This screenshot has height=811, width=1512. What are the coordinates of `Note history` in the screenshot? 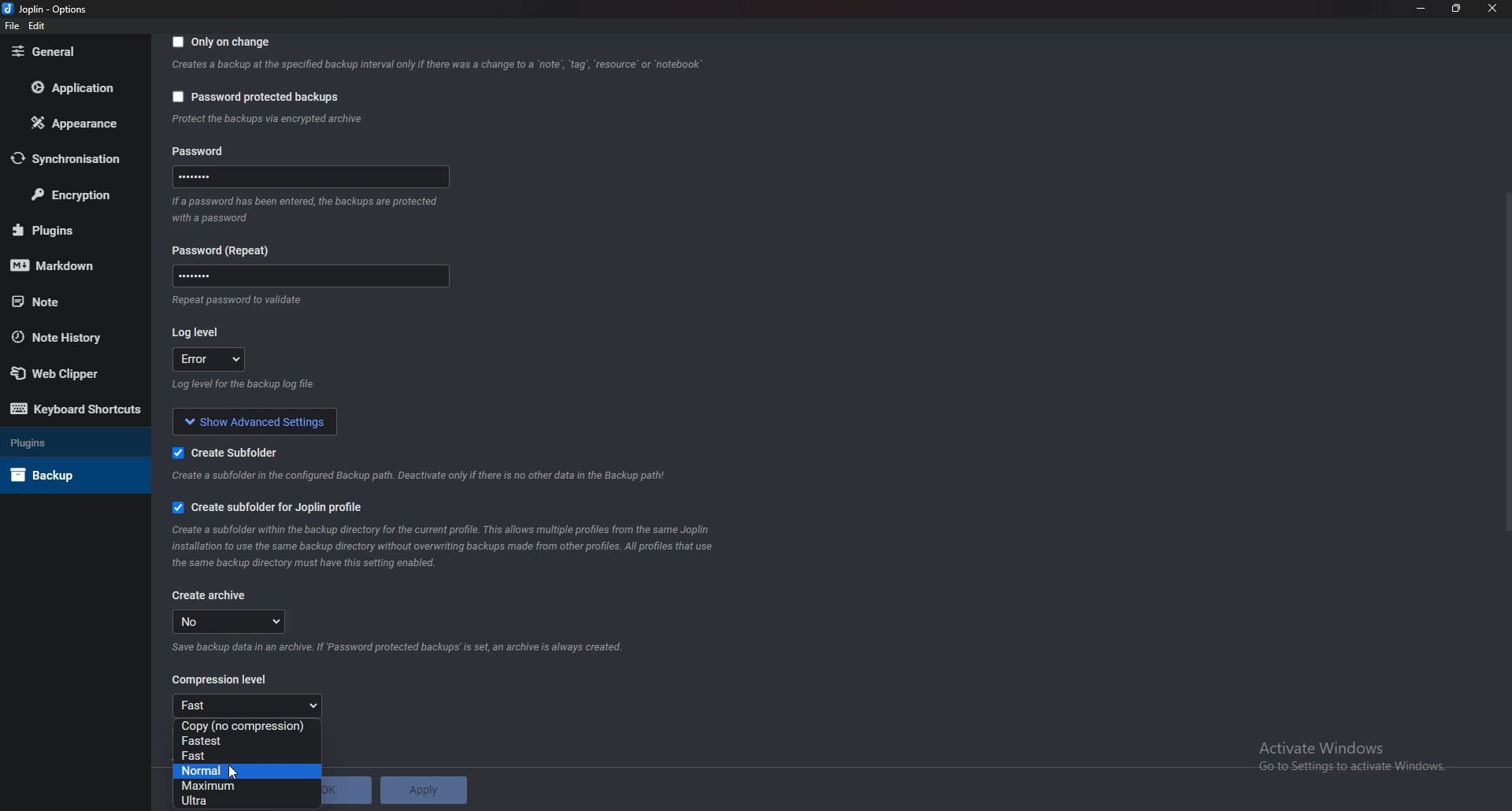 It's located at (69, 336).